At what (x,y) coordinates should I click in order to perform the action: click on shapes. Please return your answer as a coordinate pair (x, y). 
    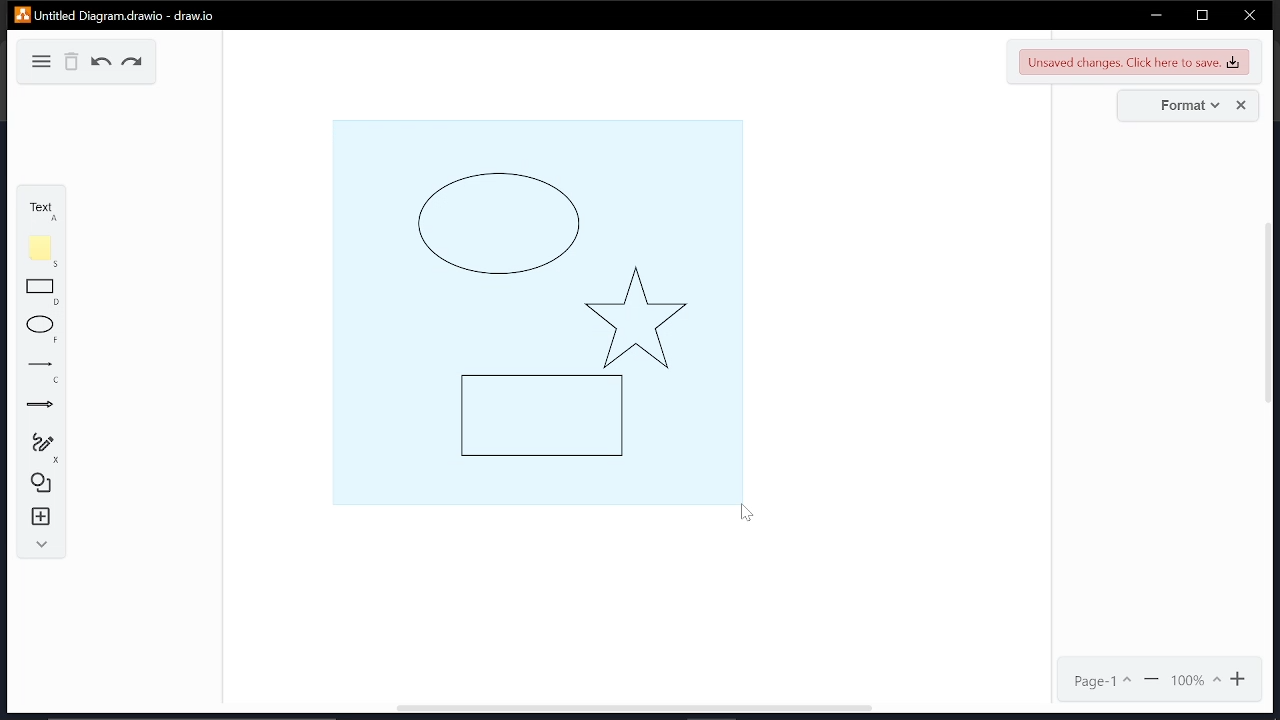
    Looking at the image, I should click on (42, 481).